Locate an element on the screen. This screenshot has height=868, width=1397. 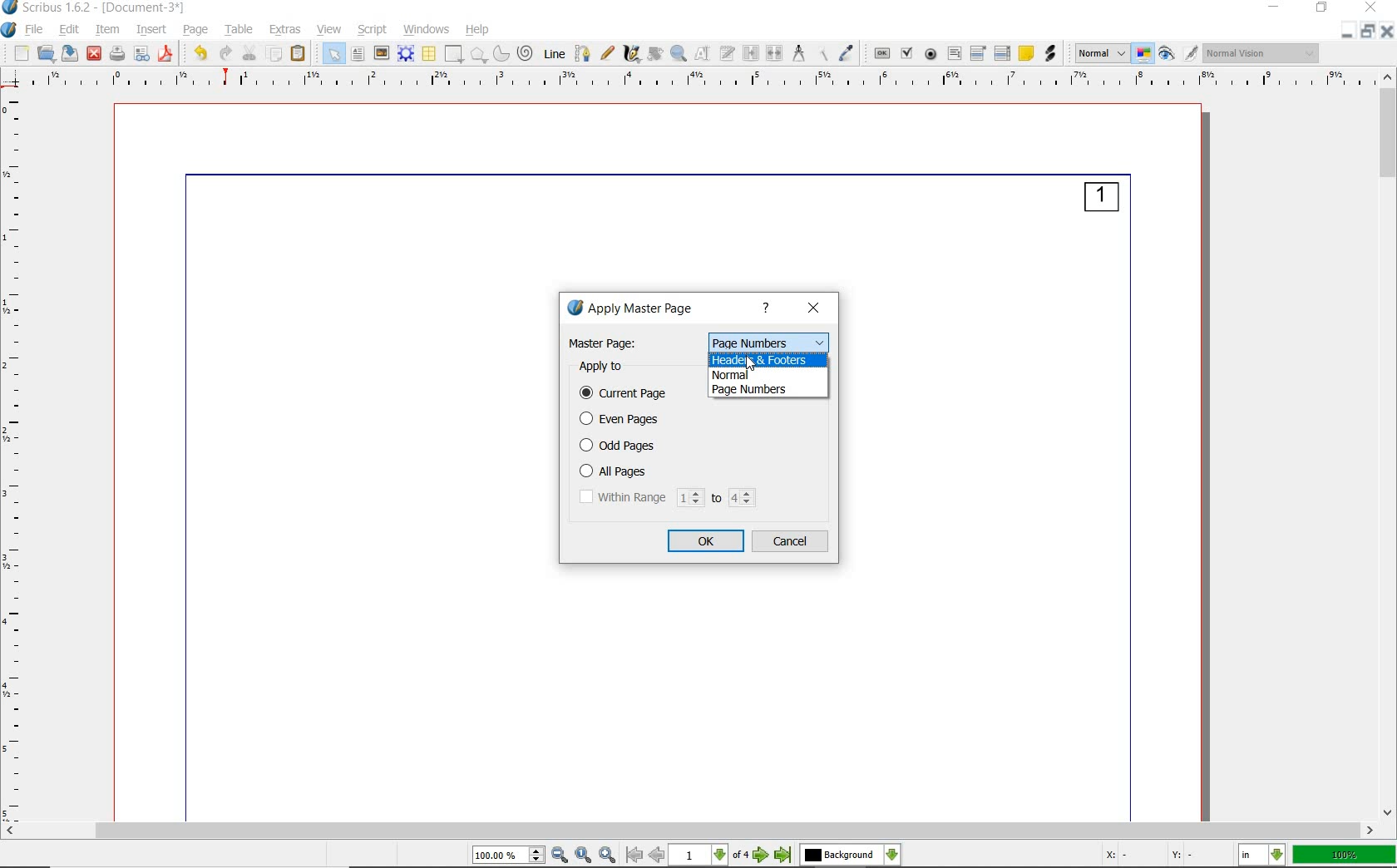
close is located at coordinates (95, 55).